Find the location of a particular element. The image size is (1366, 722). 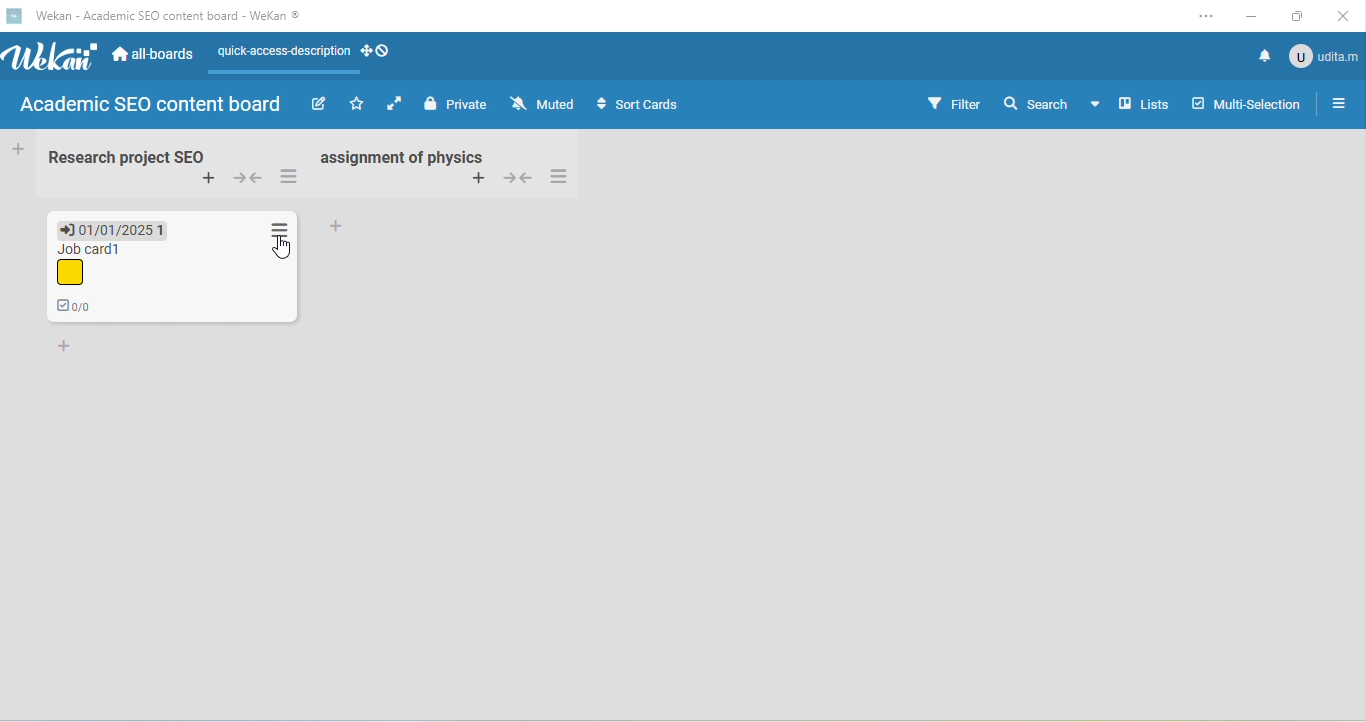

wekan-academic seo content board-wekan is located at coordinates (178, 16).